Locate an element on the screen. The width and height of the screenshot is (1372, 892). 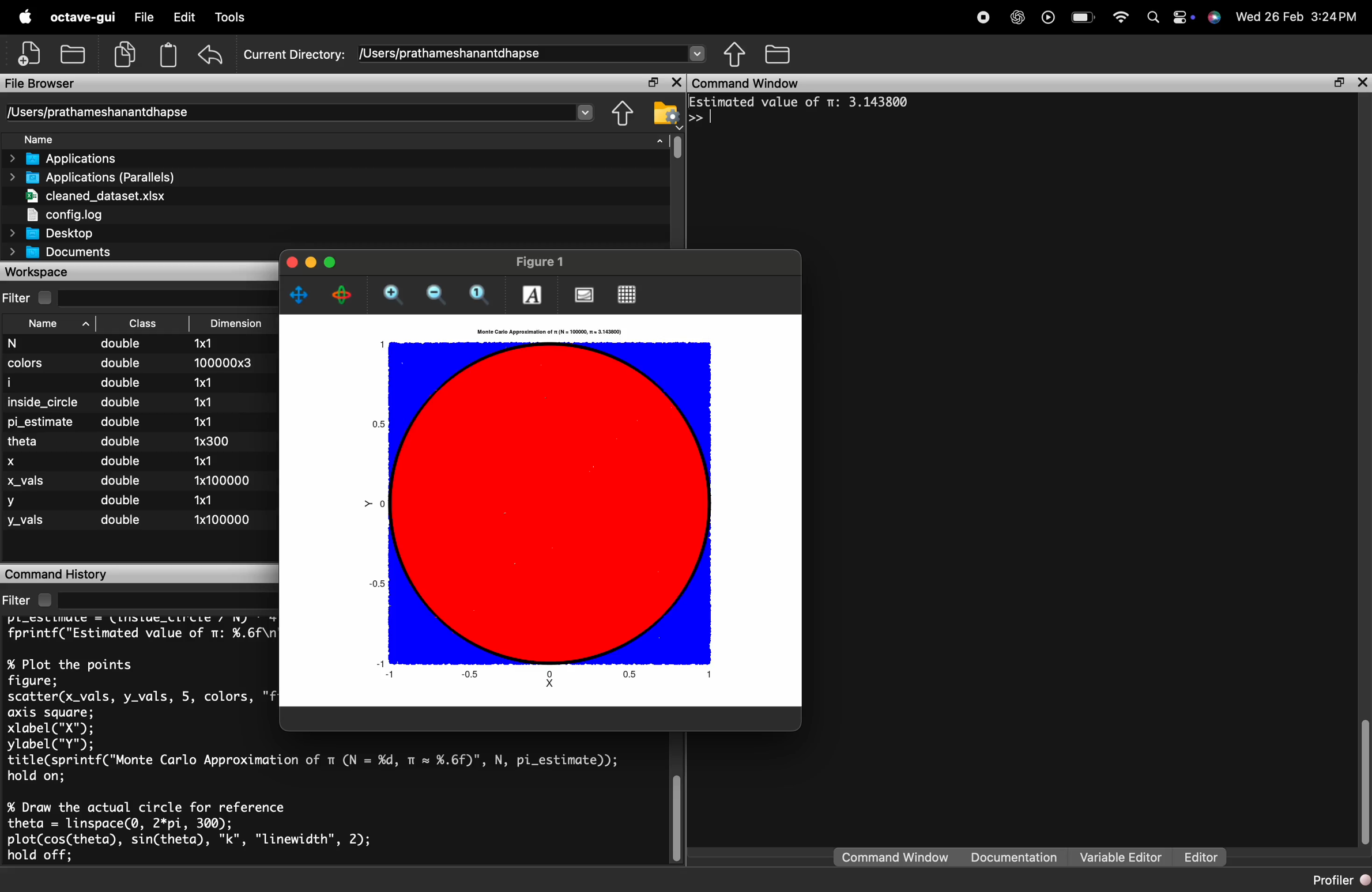
config.log is located at coordinates (92, 213).